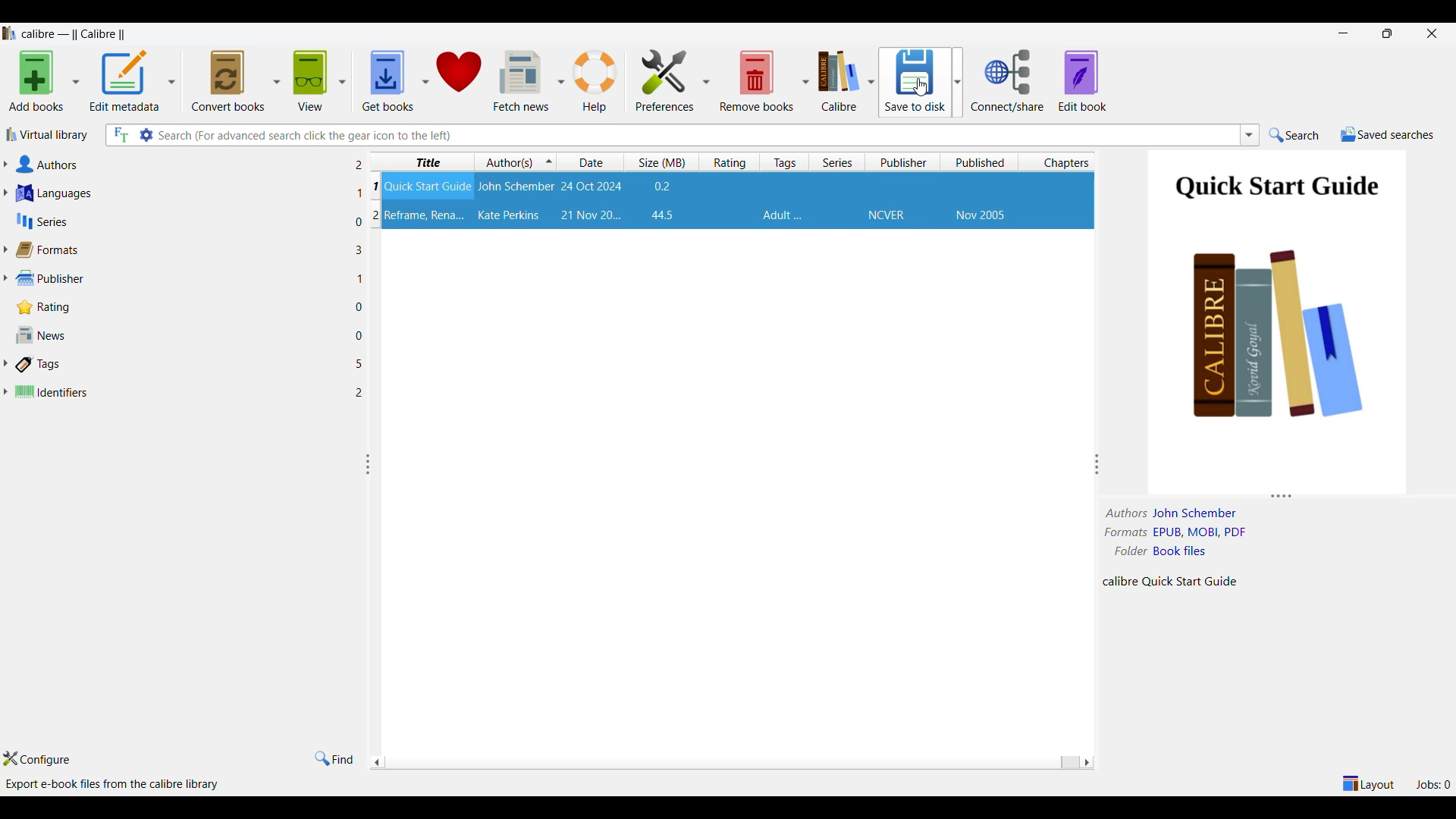  I want to click on Tags, so click(783, 215).